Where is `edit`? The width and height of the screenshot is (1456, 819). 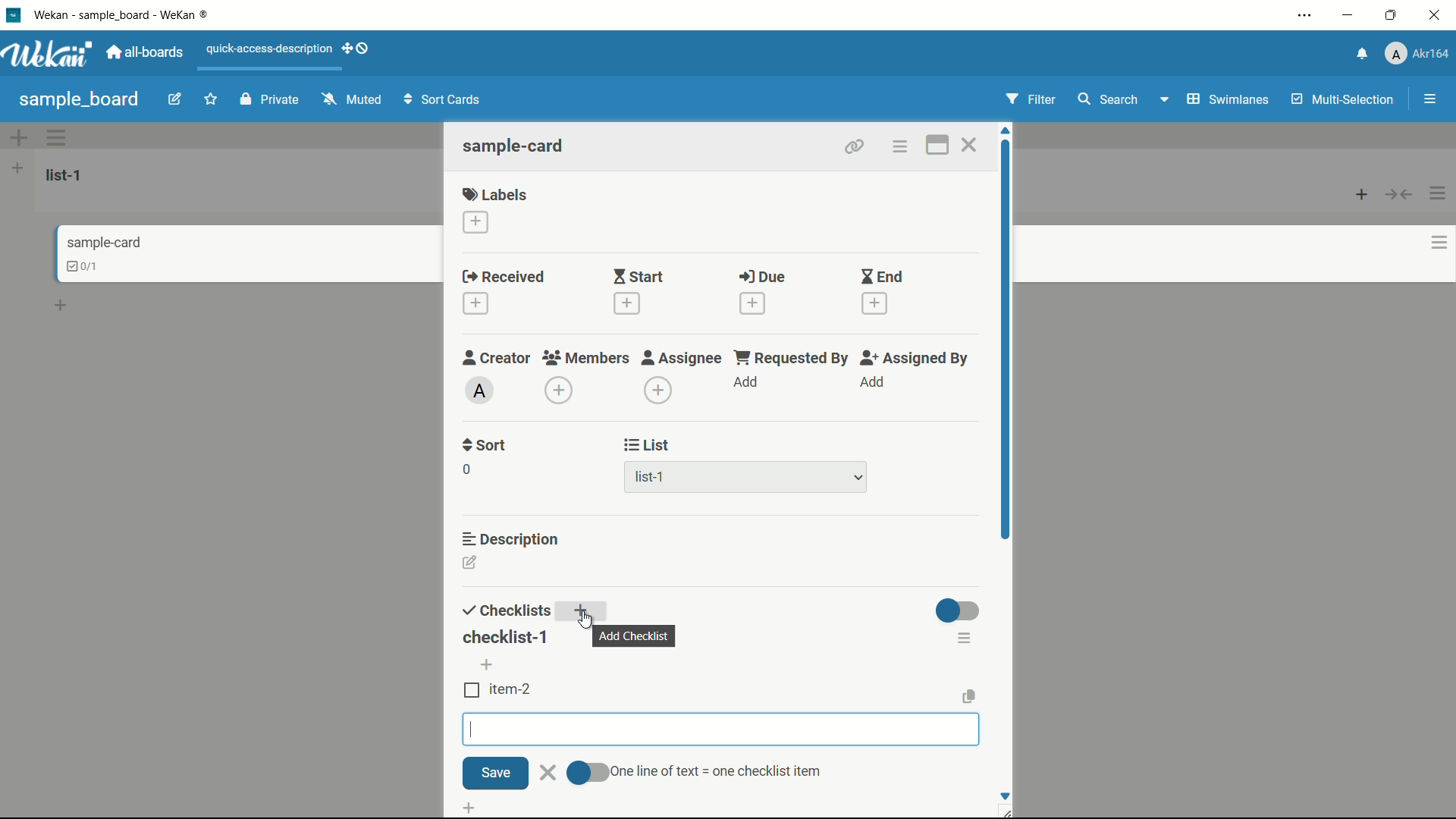 edit is located at coordinates (175, 101).